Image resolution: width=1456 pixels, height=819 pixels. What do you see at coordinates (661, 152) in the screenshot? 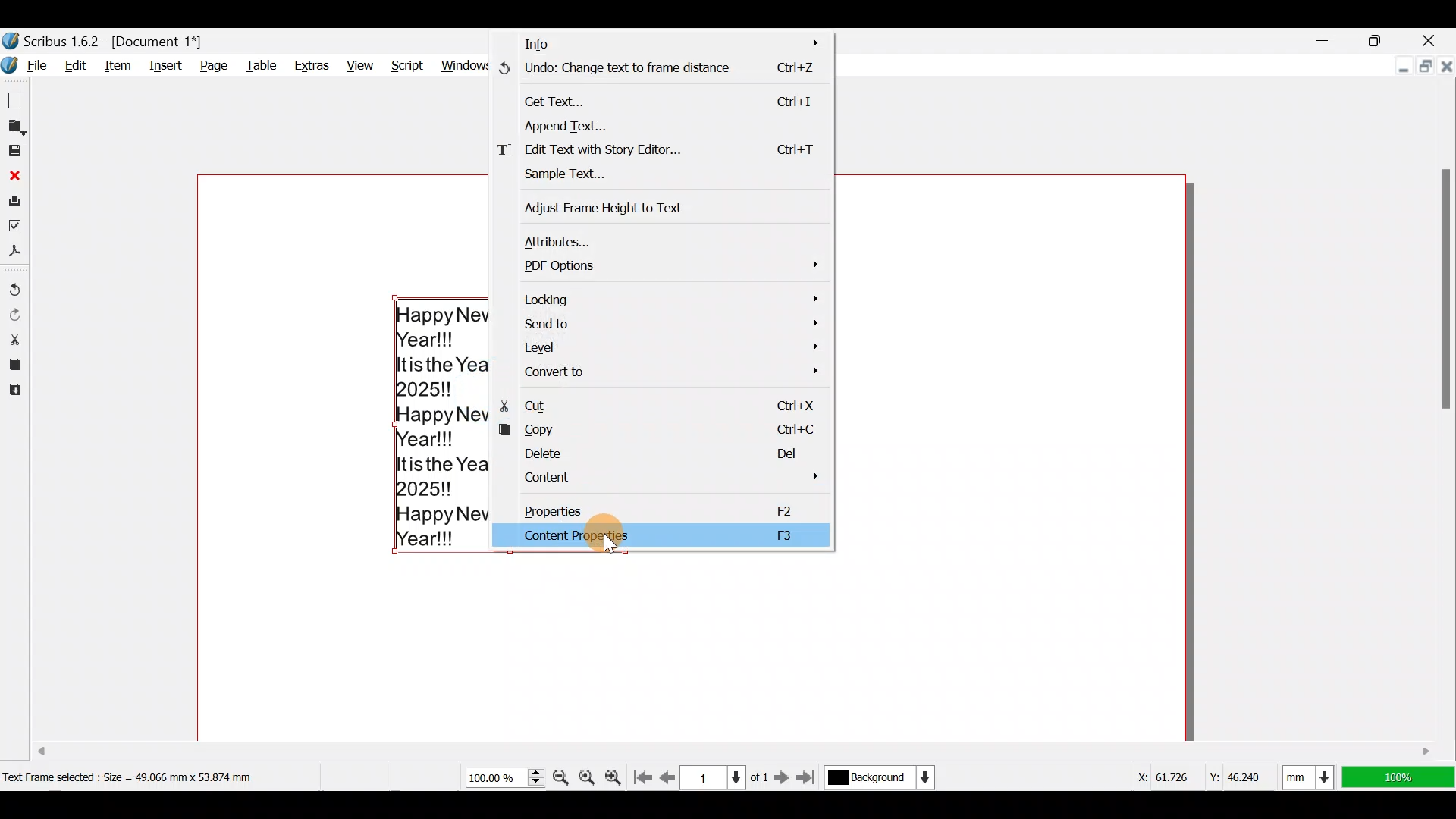
I see `Edit text with story editor` at bounding box center [661, 152].